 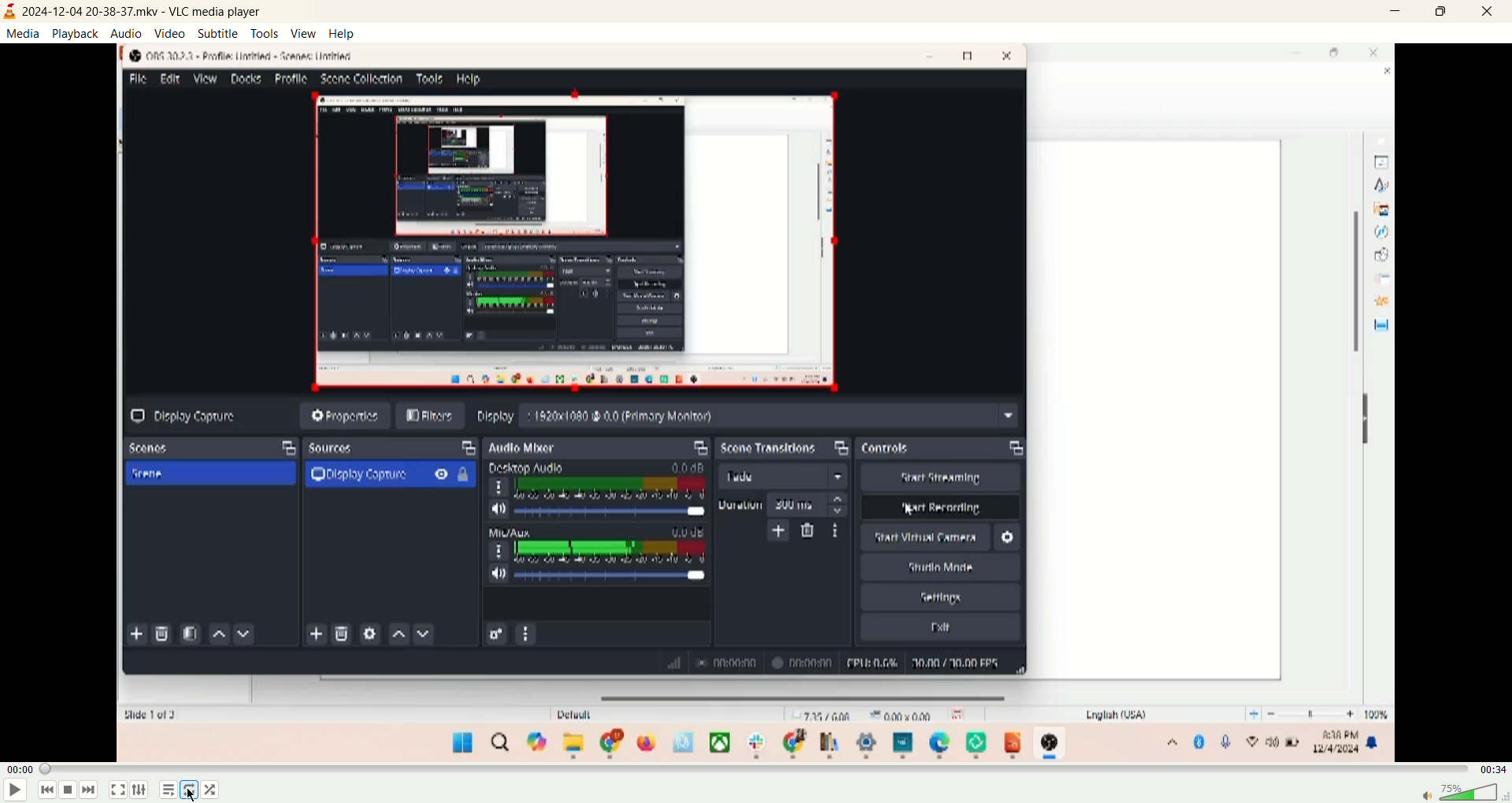 What do you see at coordinates (1447, 11) in the screenshot?
I see `maximize` at bounding box center [1447, 11].